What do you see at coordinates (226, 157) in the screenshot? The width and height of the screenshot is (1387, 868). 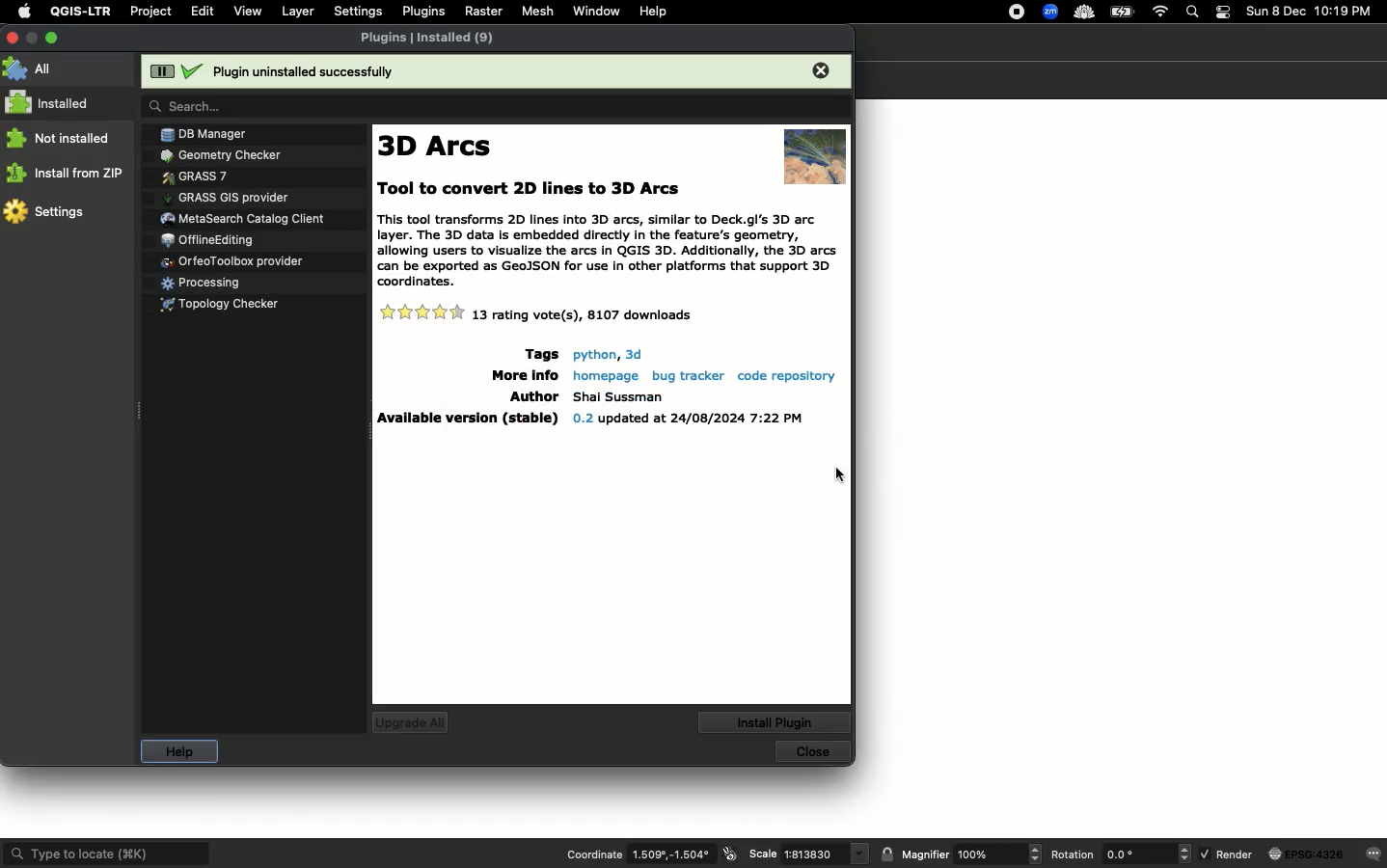 I see `Plugins` at bounding box center [226, 157].